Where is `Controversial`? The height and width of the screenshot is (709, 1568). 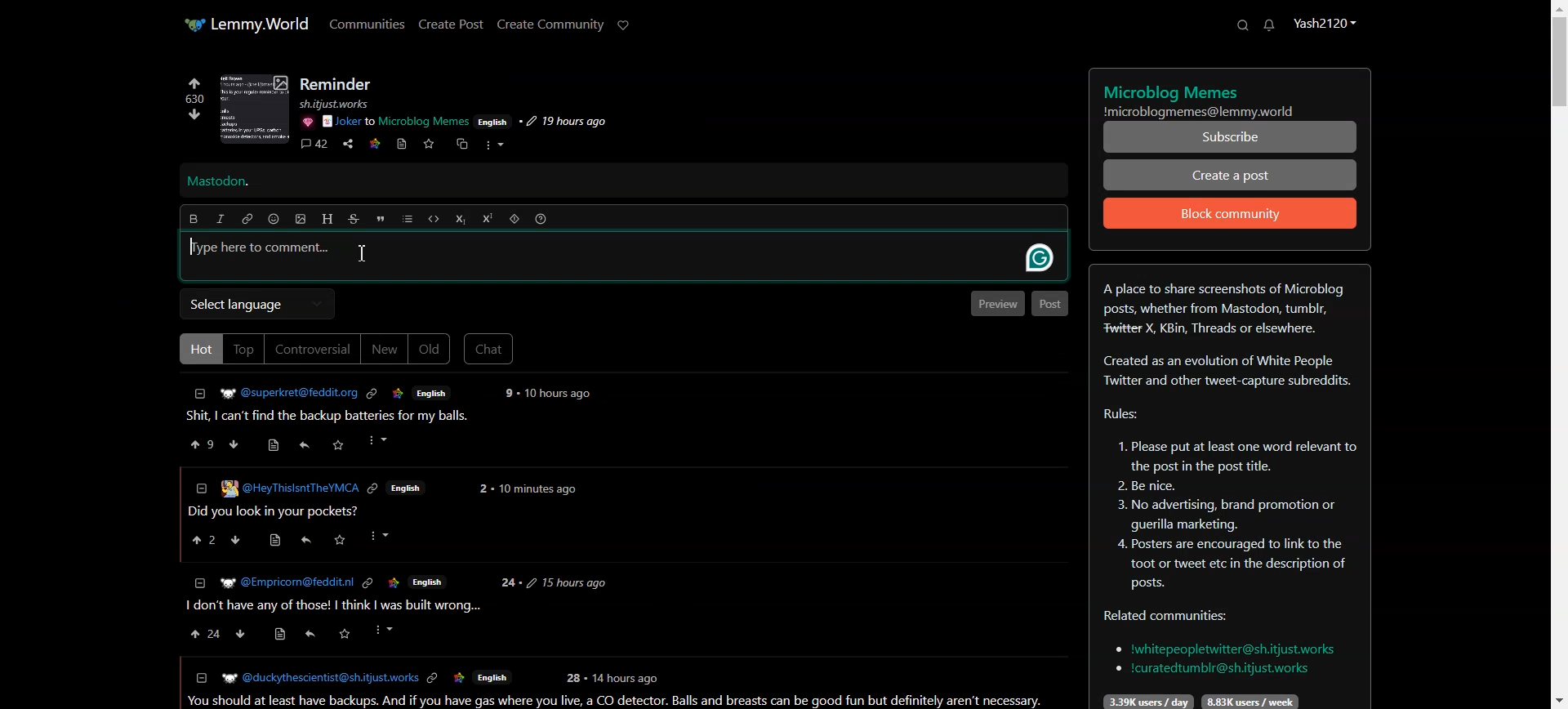
Controversial is located at coordinates (313, 349).